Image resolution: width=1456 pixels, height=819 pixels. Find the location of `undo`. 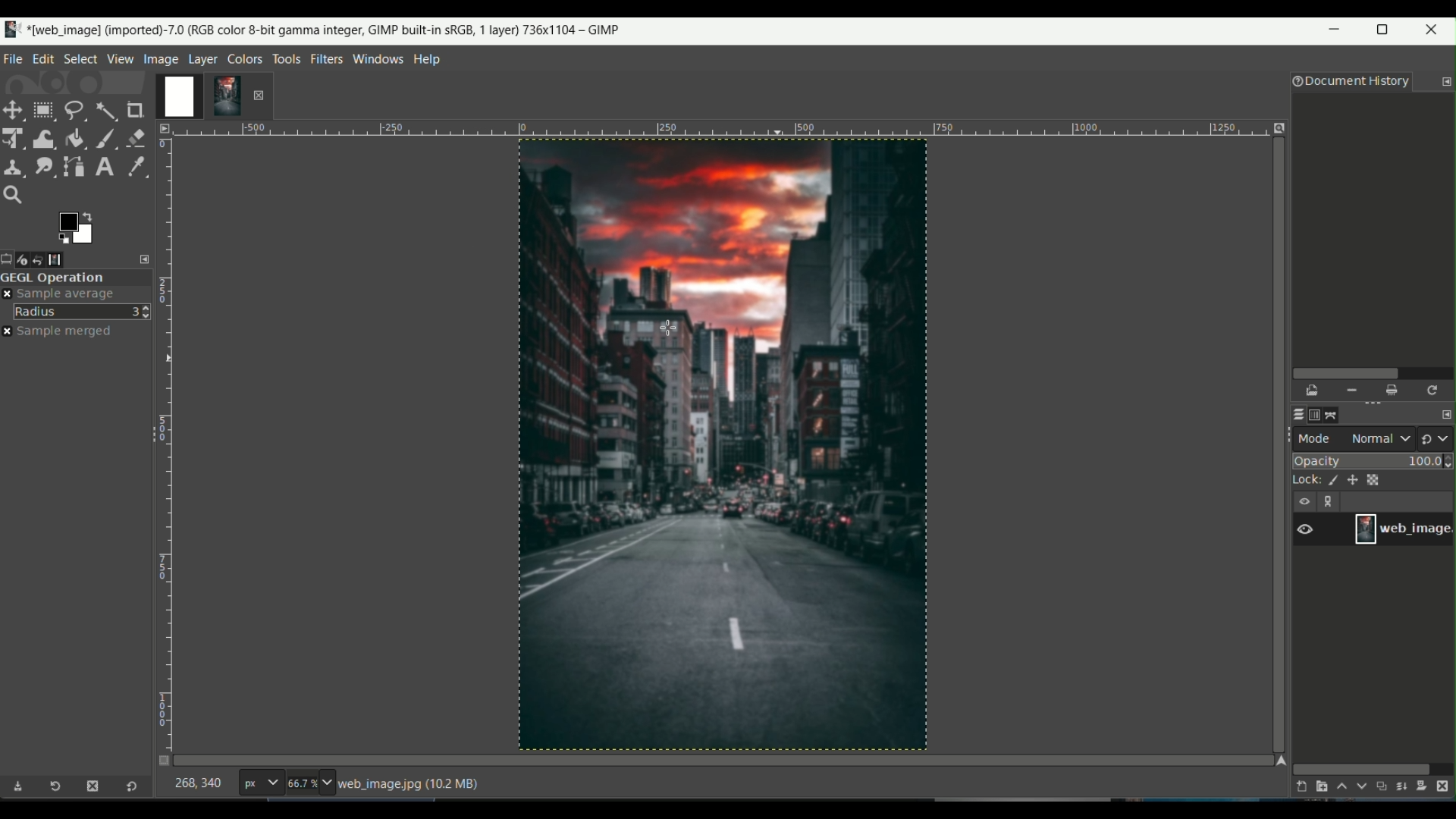

undo is located at coordinates (47, 259).